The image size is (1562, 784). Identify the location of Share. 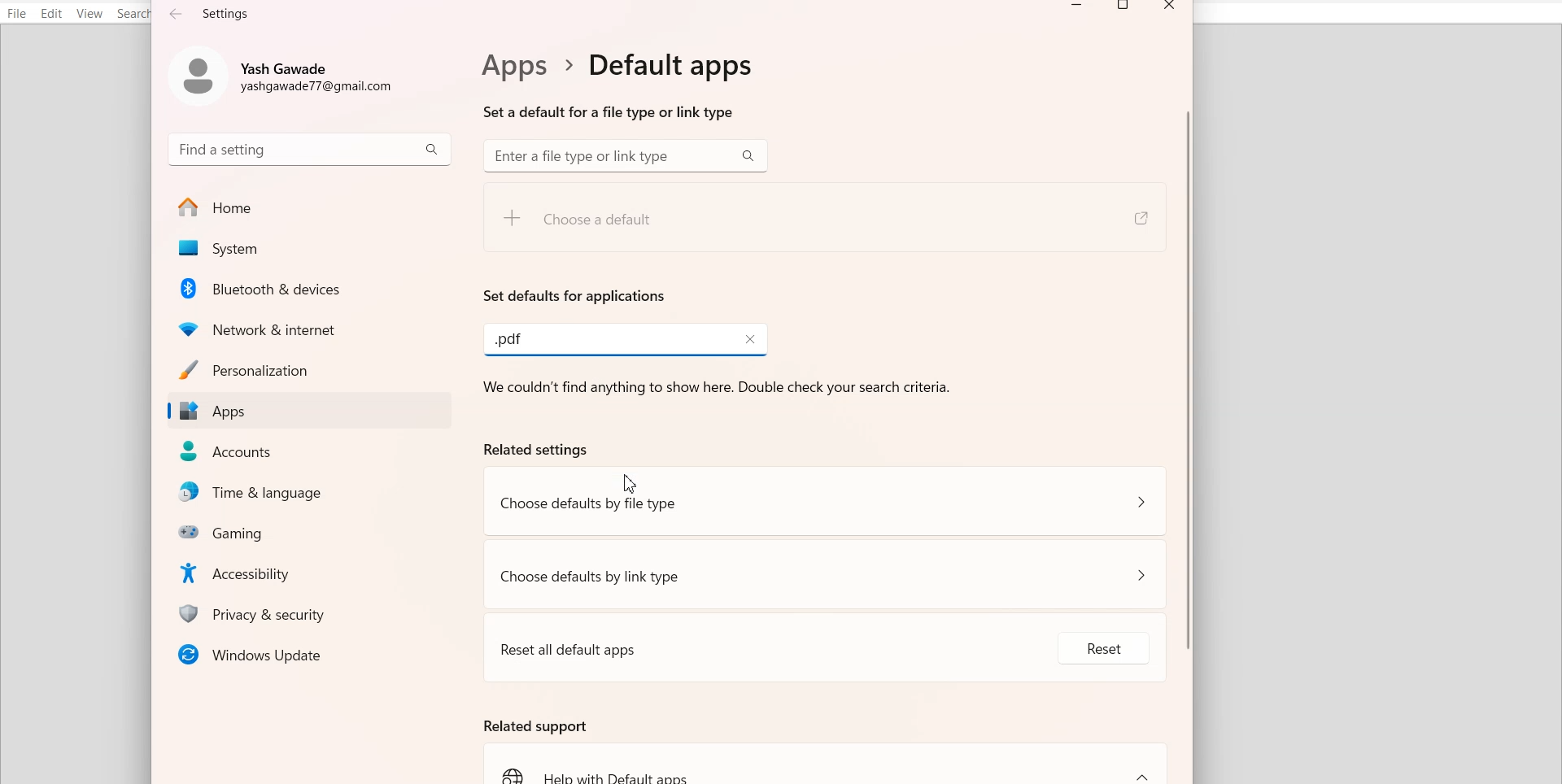
(1139, 219).